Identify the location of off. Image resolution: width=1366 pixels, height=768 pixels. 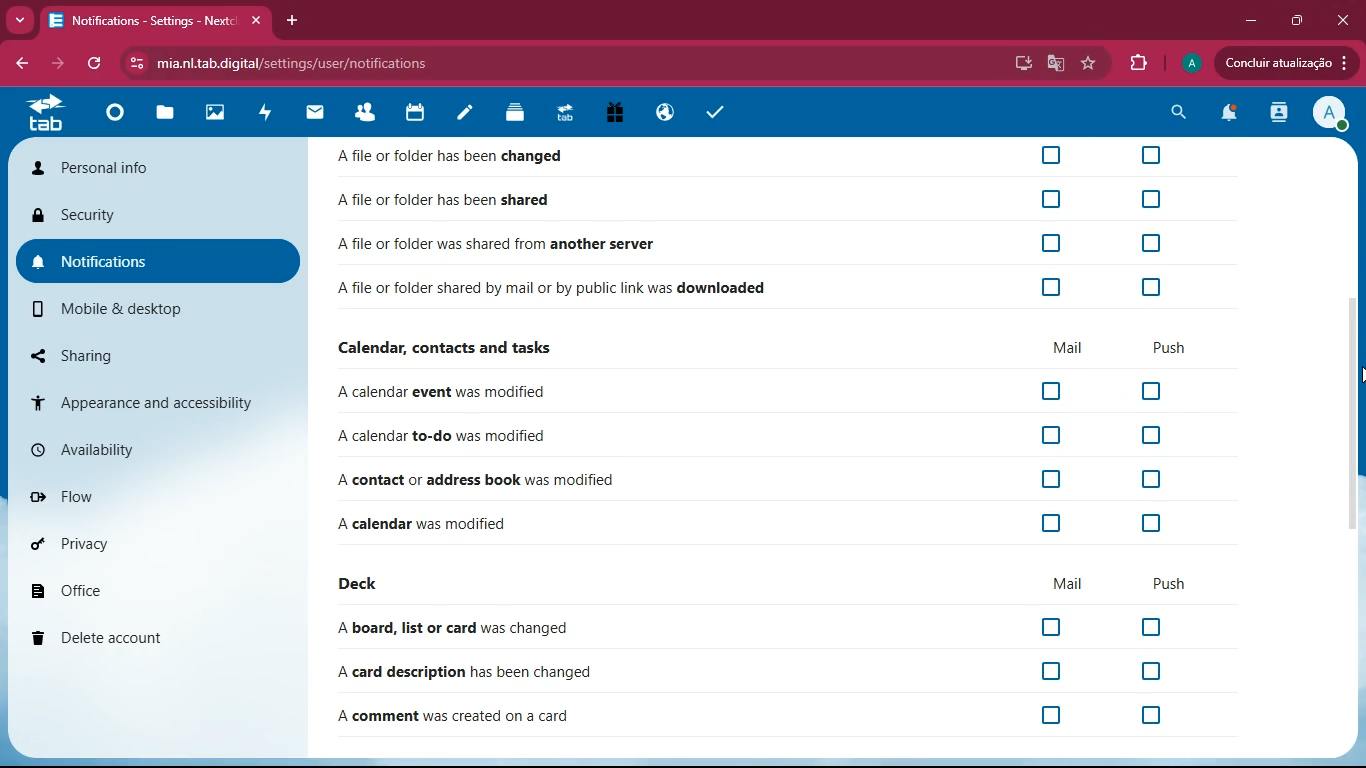
(1156, 628).